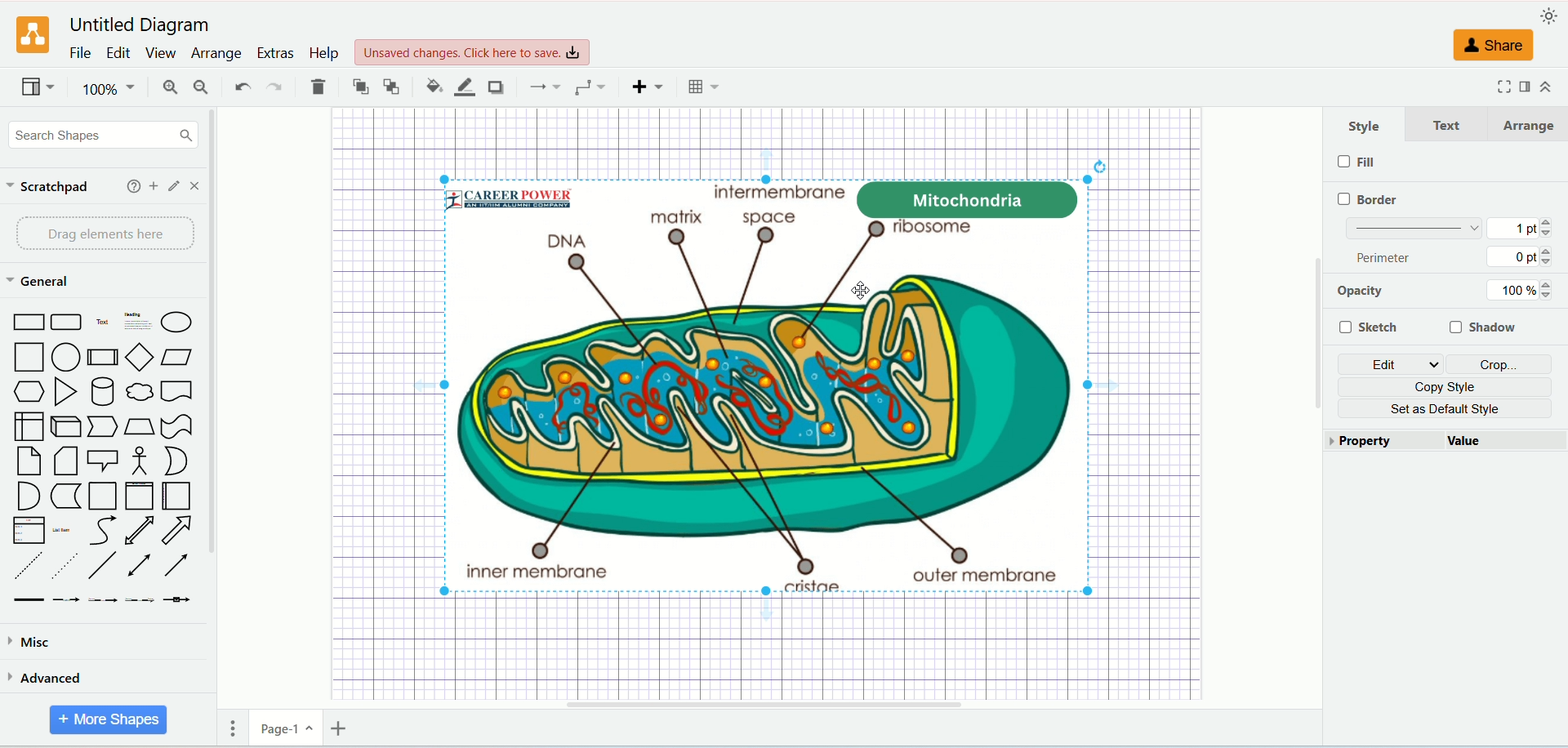 Image resolution: width=1568 pixels, height=748 pixels. Describe the element at coordinates (139, 393) in the screenshot. I see `Thought Bubble` at that location.